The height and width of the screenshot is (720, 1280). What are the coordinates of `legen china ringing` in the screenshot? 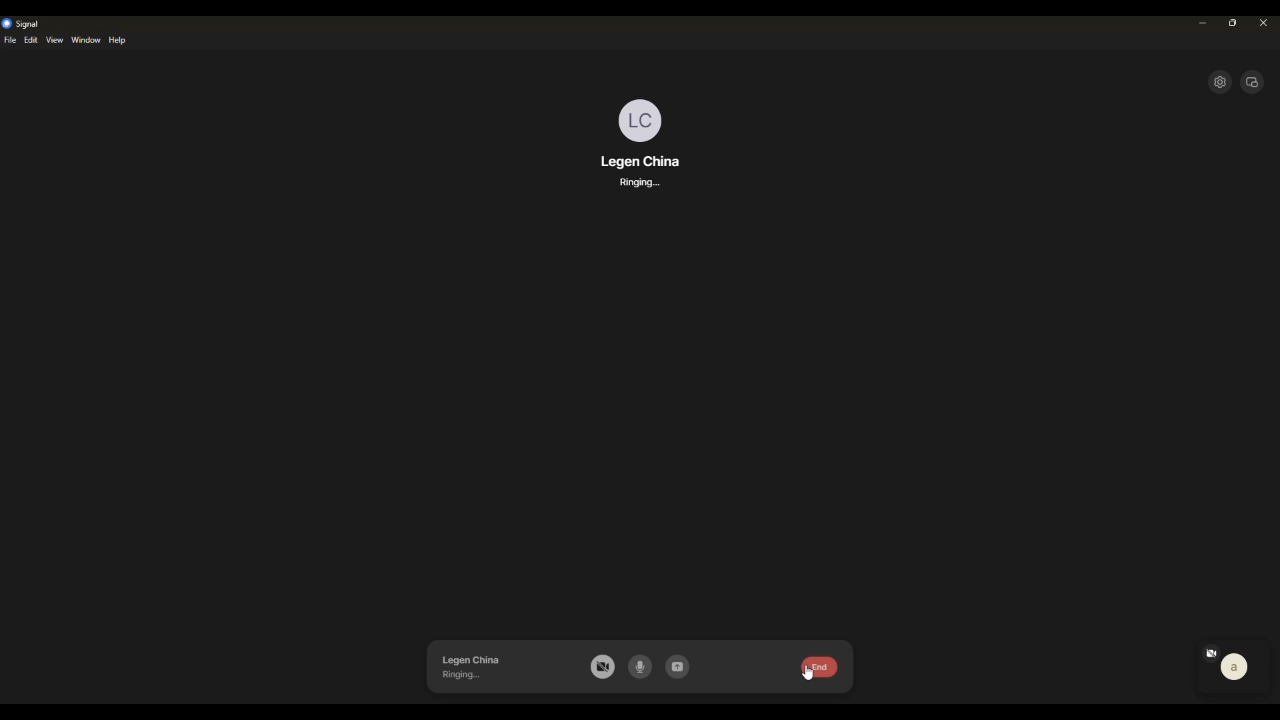 It's located at (468, 662).